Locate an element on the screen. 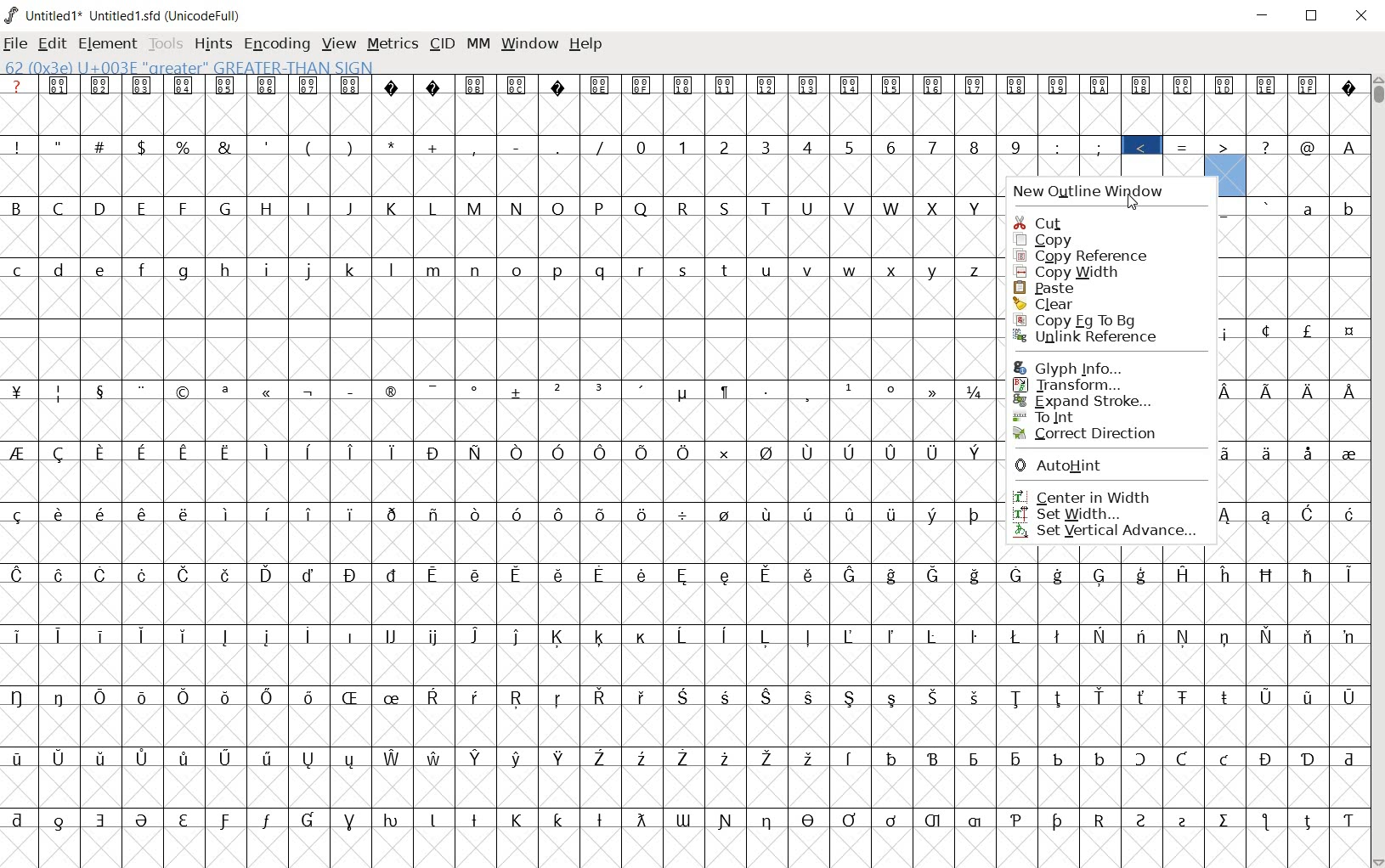 The width and height of the screenshot is (1385, 868). set width is located at coordinates (1113, 513).